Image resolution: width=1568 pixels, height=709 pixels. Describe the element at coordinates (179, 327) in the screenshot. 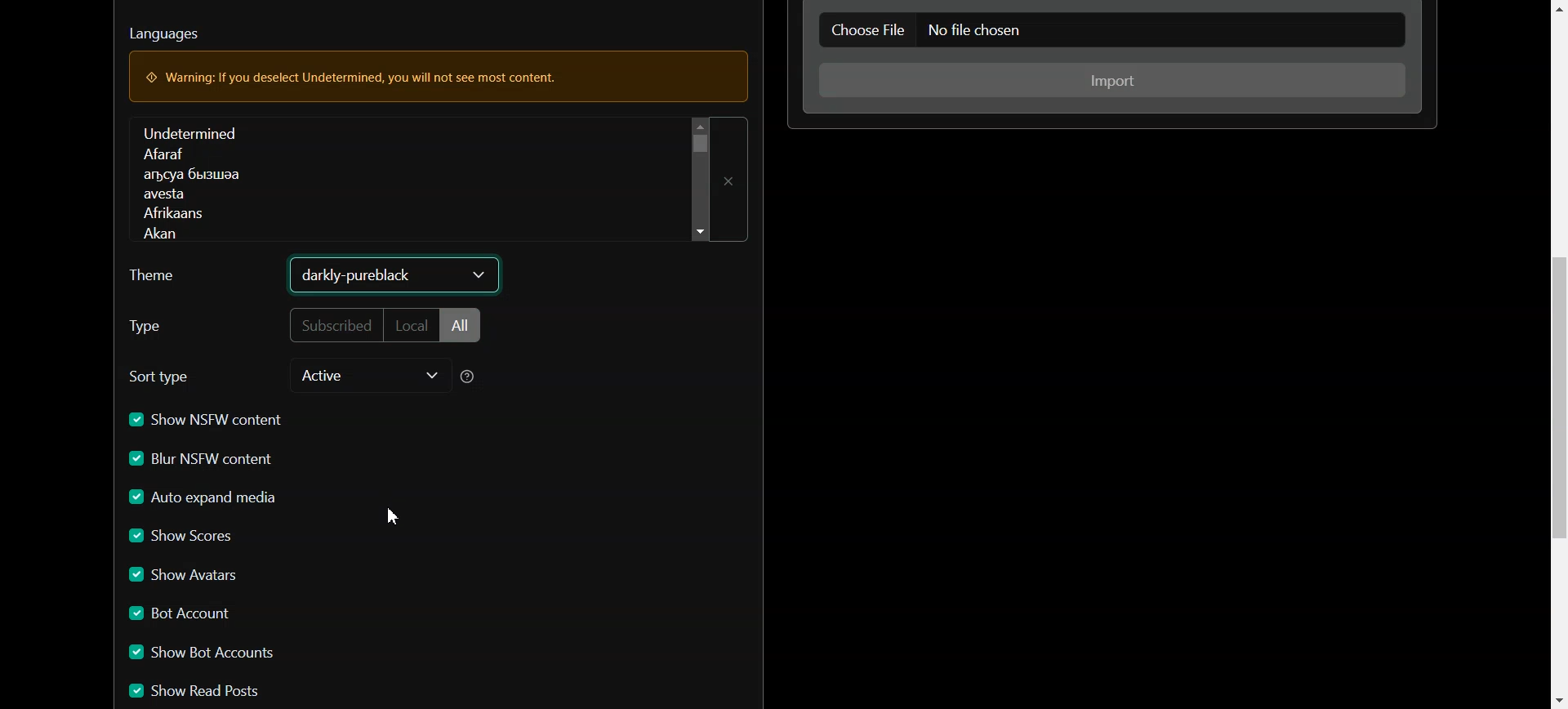

I see `Type` at that location.